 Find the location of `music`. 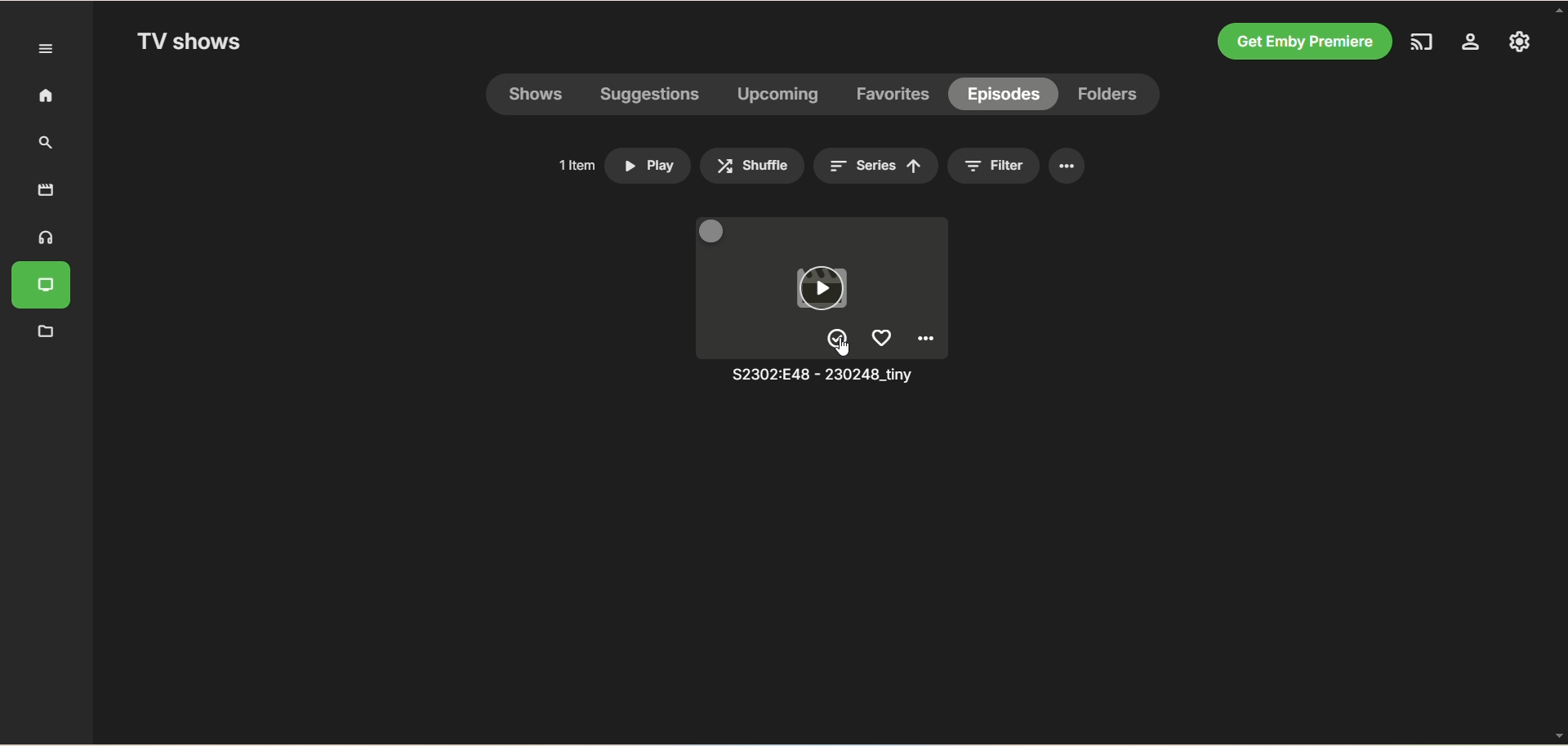

music is located at coordinates (42, 238).